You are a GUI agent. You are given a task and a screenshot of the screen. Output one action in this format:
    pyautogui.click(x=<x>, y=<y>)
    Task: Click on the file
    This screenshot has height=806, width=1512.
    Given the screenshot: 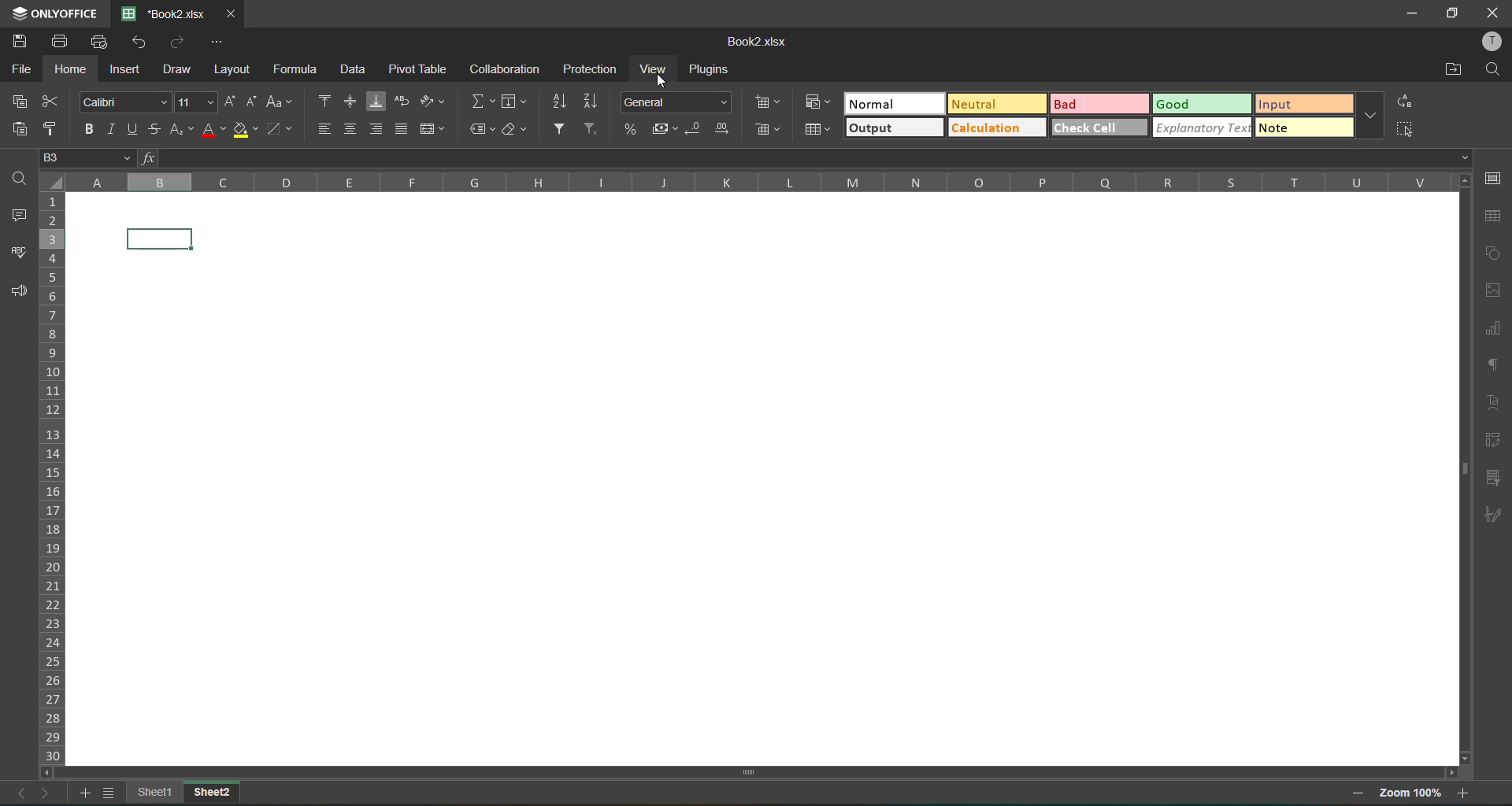 What is the action you would take?
    pyautogui.click(x=25, y=71)
    